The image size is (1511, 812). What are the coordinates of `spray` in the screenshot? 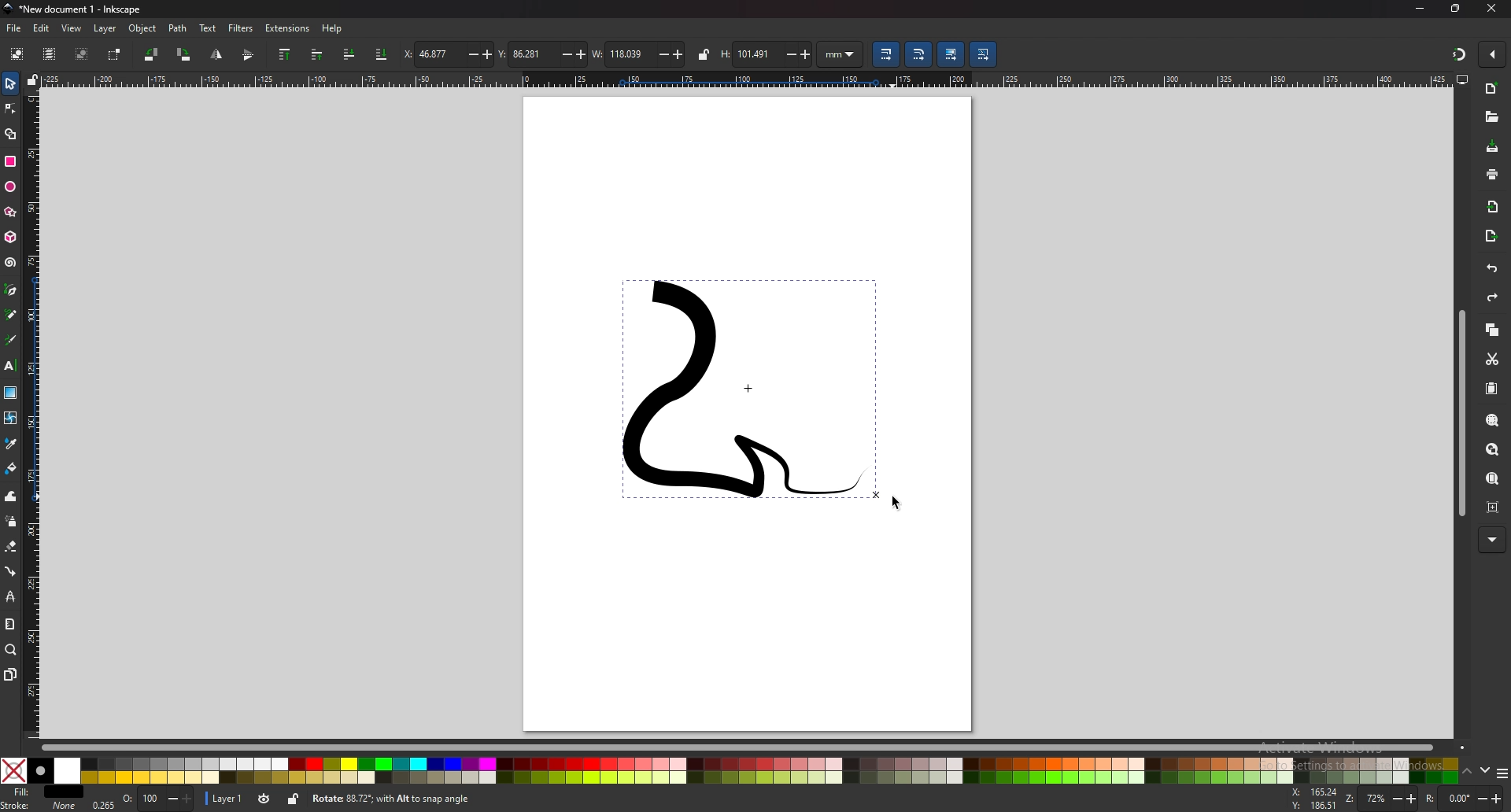 It's located at (12, 521).